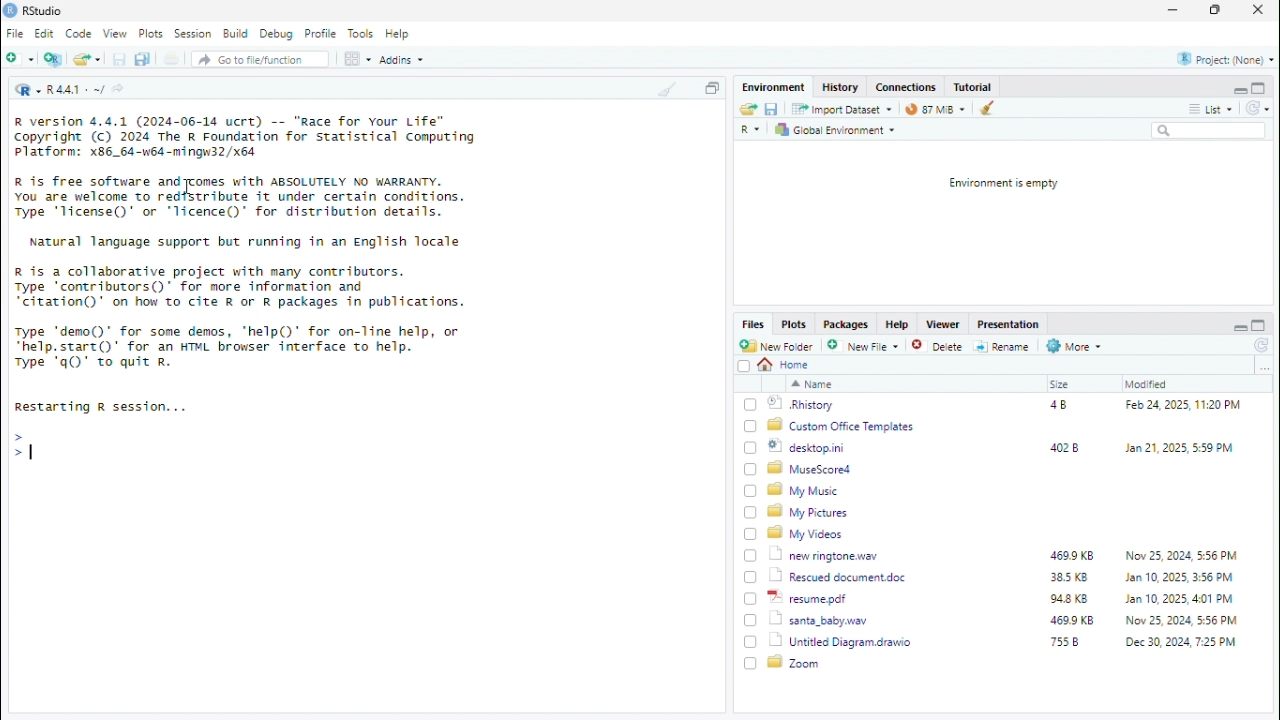  Describe the element at coordinates (246, 242) in the screenshot. I see `Natural language support but running in an English locale` at that location.